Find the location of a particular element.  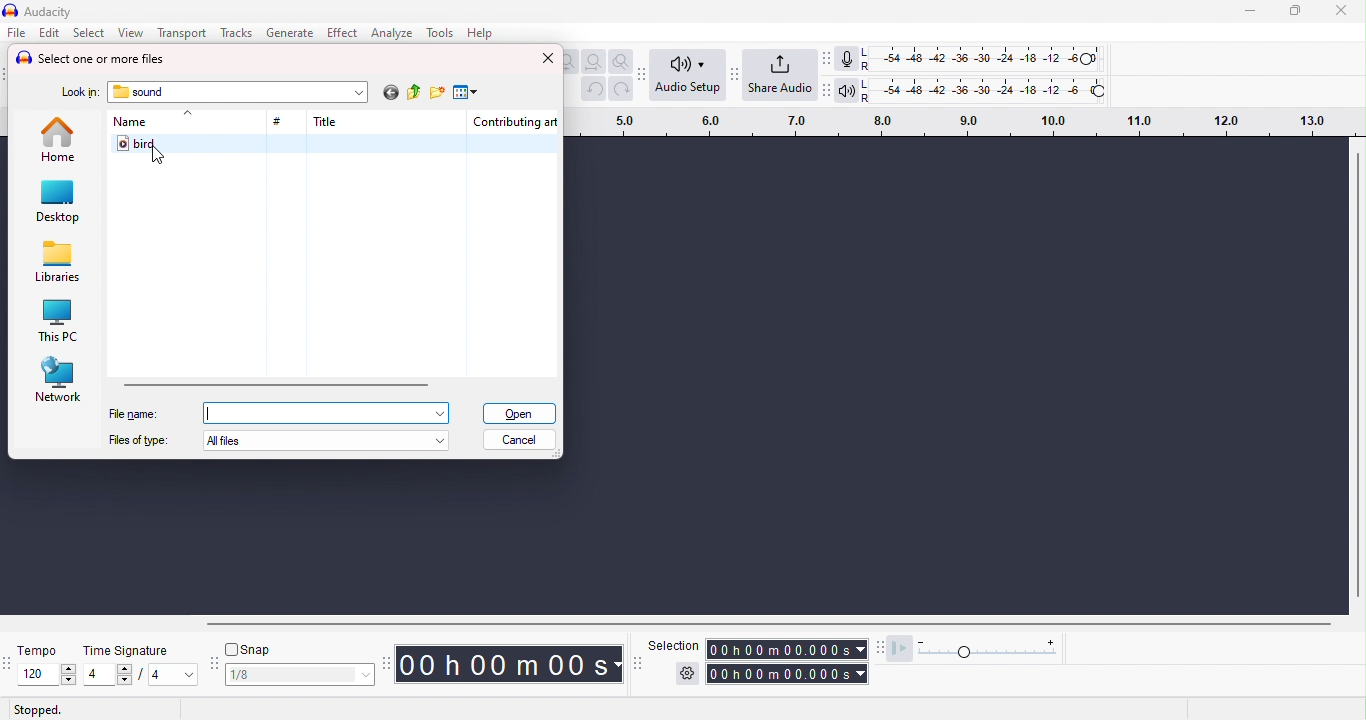

timelin is located at coordinates (966, 121).